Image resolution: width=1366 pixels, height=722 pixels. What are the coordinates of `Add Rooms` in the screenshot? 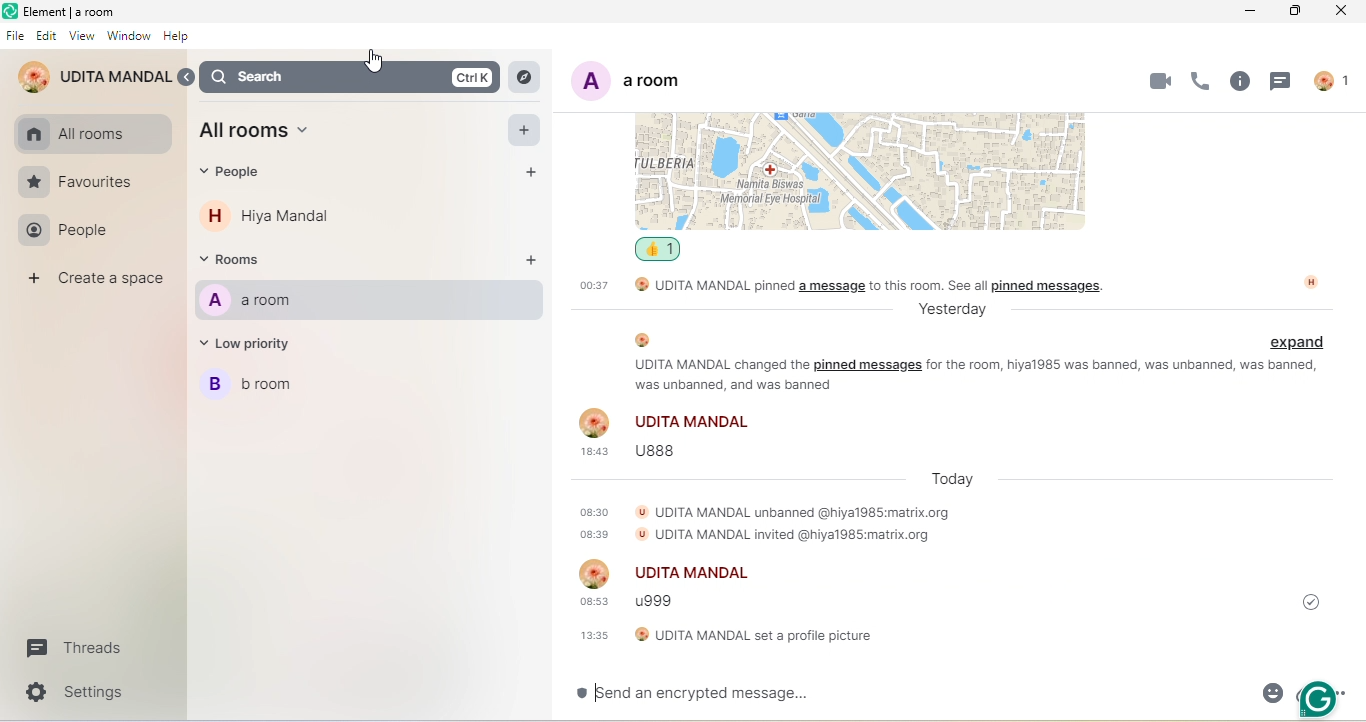 It's located at (534, 258).